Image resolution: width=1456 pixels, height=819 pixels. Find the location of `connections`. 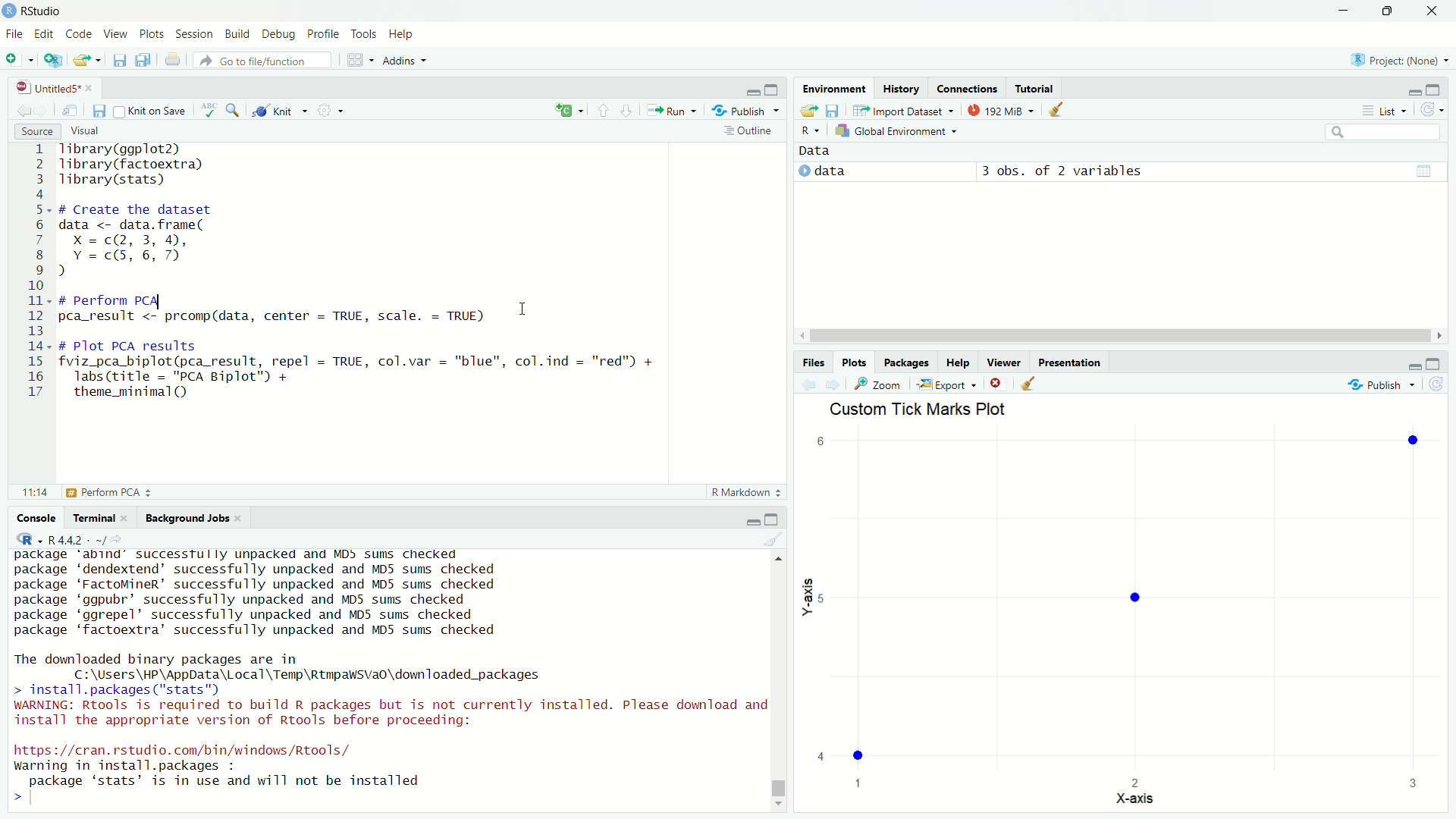

connections is located at coordinates (966, 88).